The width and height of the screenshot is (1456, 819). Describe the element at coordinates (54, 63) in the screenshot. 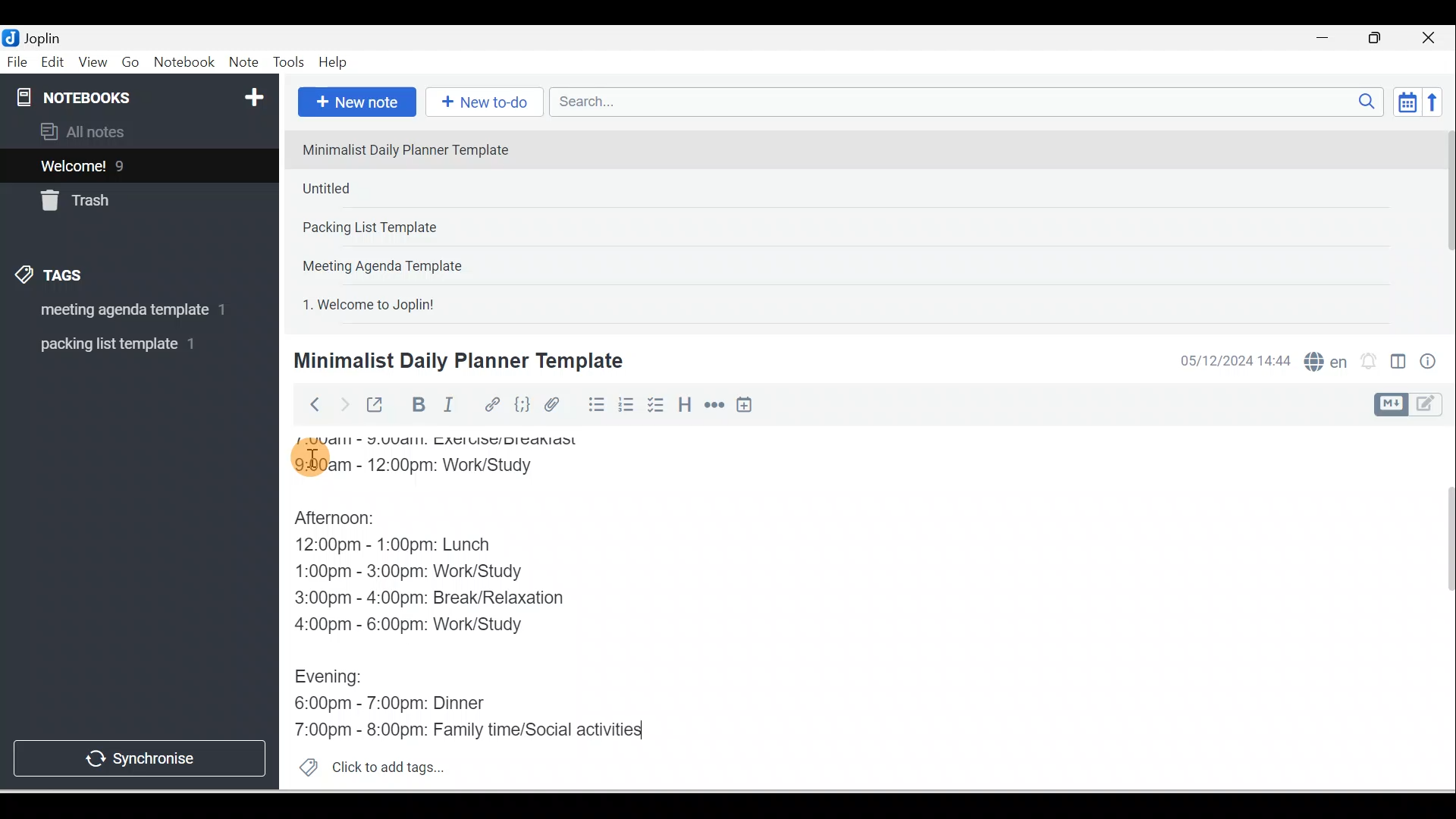

I see `Edit` at that location.